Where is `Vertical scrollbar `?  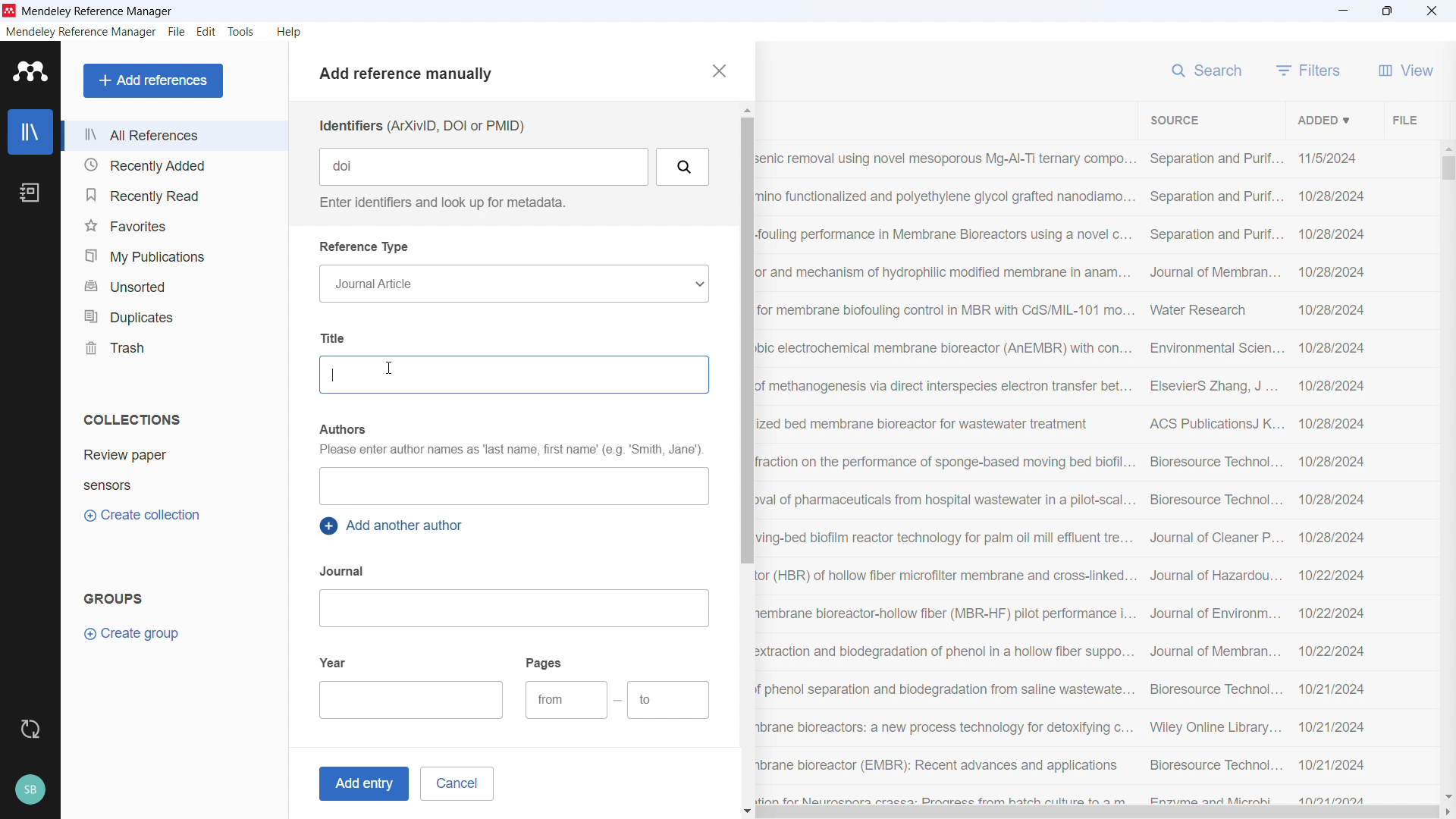 Vertical scrollbar  is located at coordinates (1448, 168).